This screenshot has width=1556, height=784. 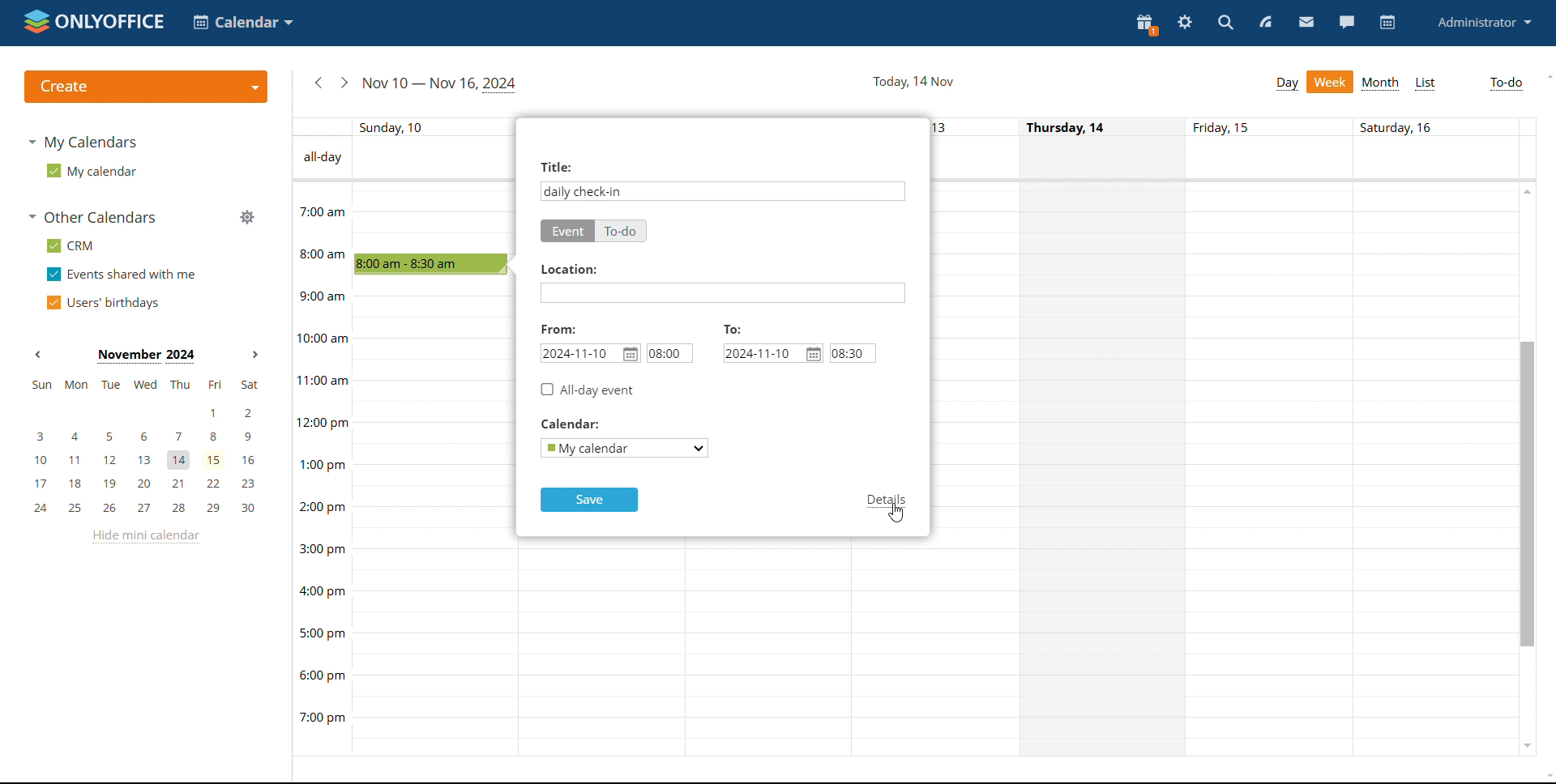 What do you see at coordinates (913, 83) in the screenshot?
I see `current date` at bounding box center [913, 83].